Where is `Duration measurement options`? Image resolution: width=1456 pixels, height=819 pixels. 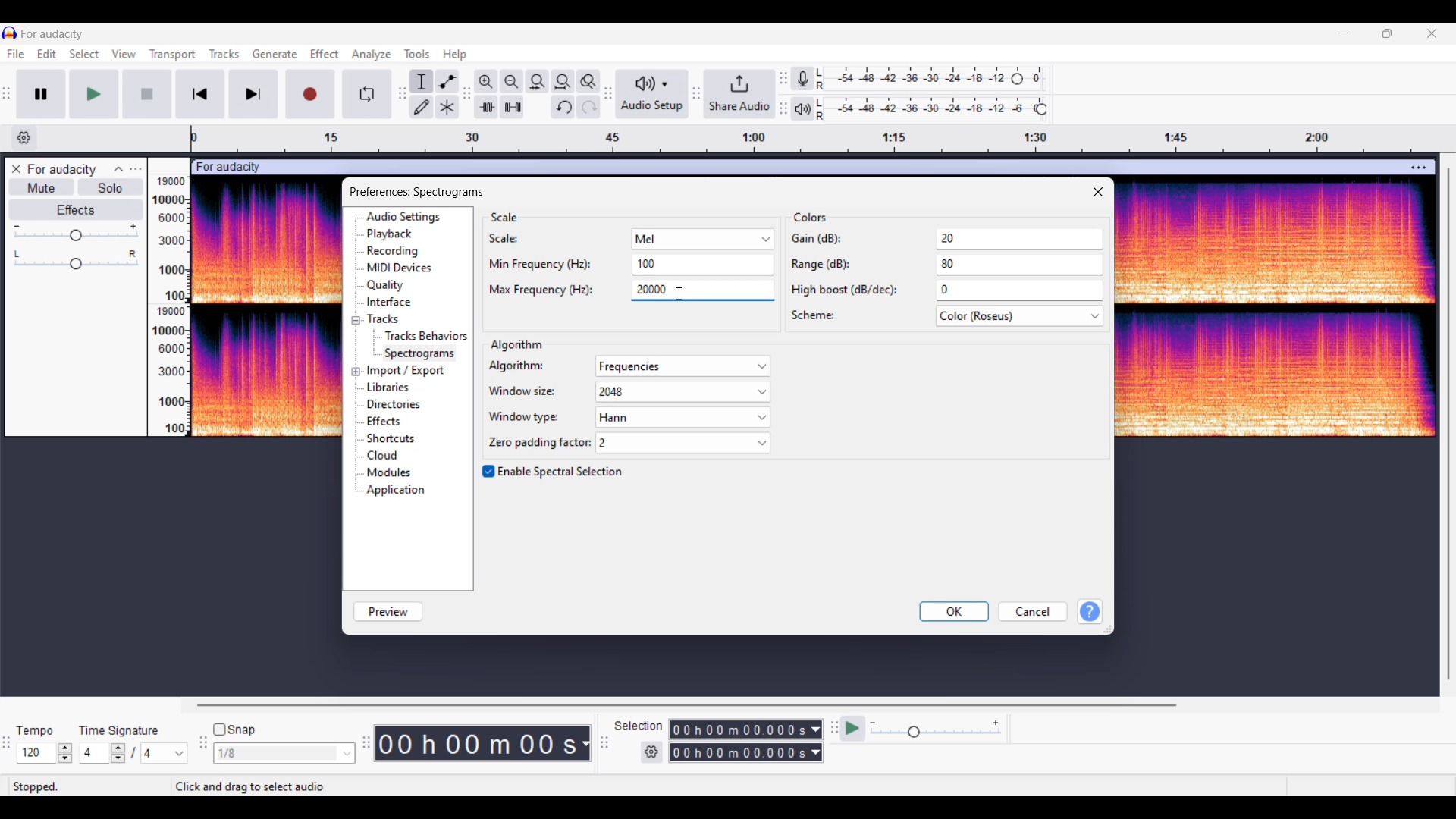
Duration measurement options is located at coordinates (585, 743).